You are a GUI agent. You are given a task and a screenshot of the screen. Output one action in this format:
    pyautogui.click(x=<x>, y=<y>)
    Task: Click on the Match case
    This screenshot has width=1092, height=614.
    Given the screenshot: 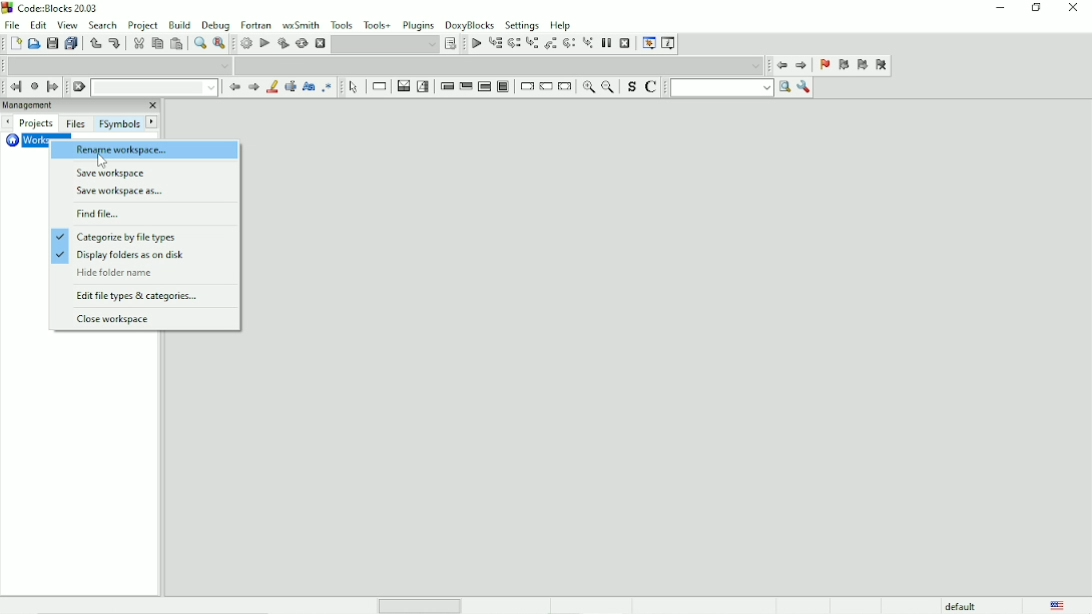 What is the action you would take?
    pyautogui.click(x=307, y=87)
    